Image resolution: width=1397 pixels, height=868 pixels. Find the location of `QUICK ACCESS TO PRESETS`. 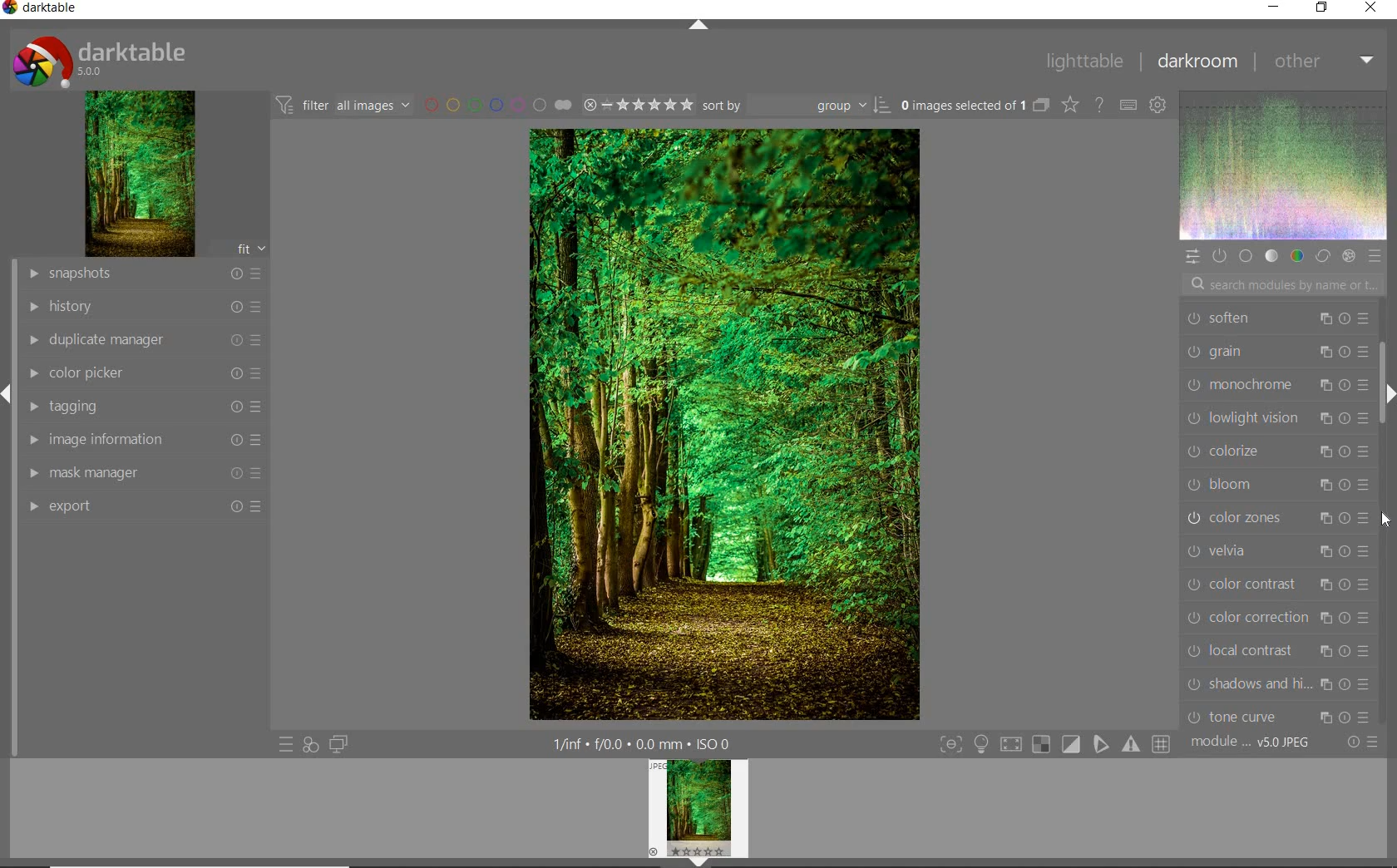

QUICK ACCESS TO PRESETS is located at coordinates (285, 743).